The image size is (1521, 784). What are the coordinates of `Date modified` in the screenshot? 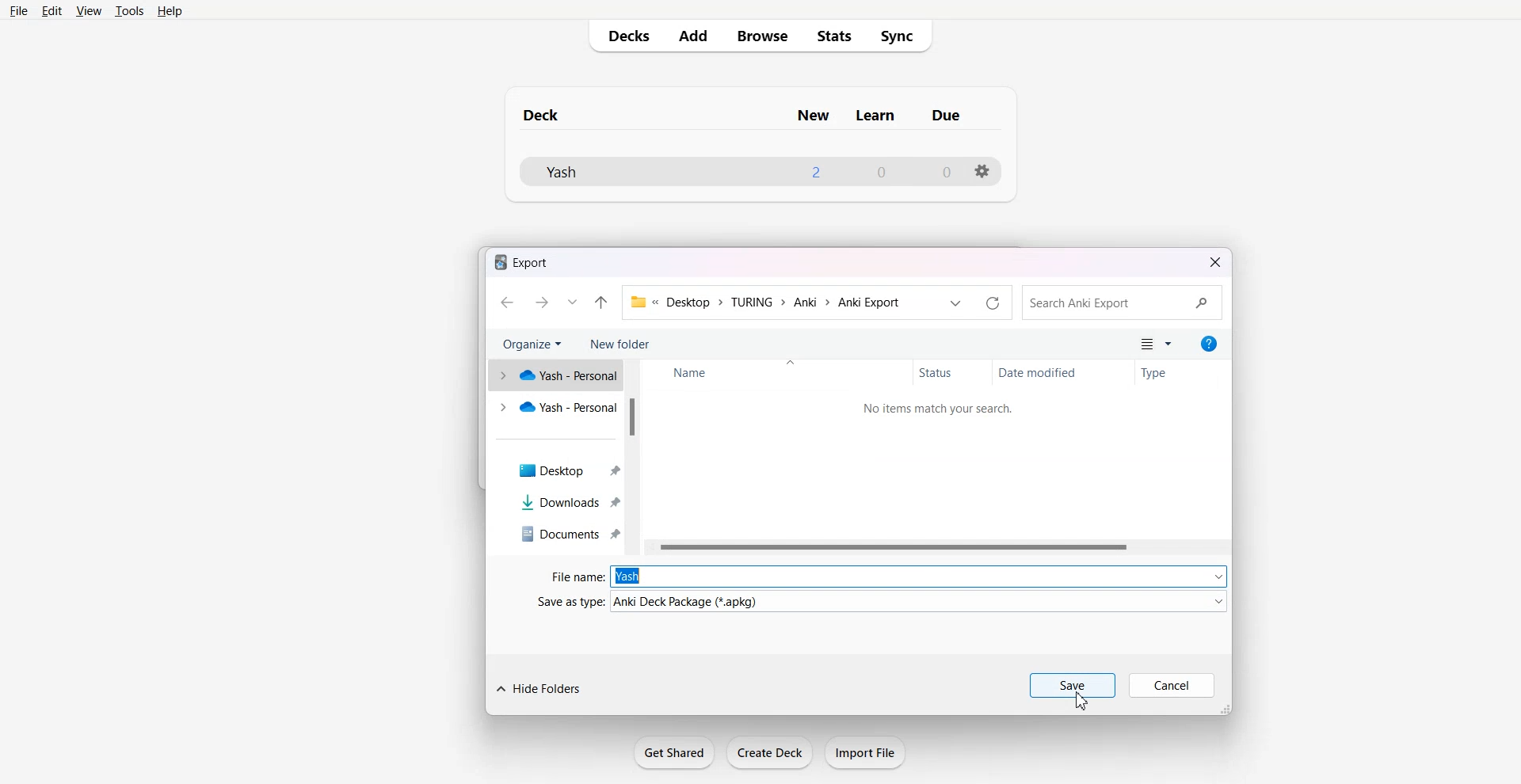 It's located at (1059, 372).